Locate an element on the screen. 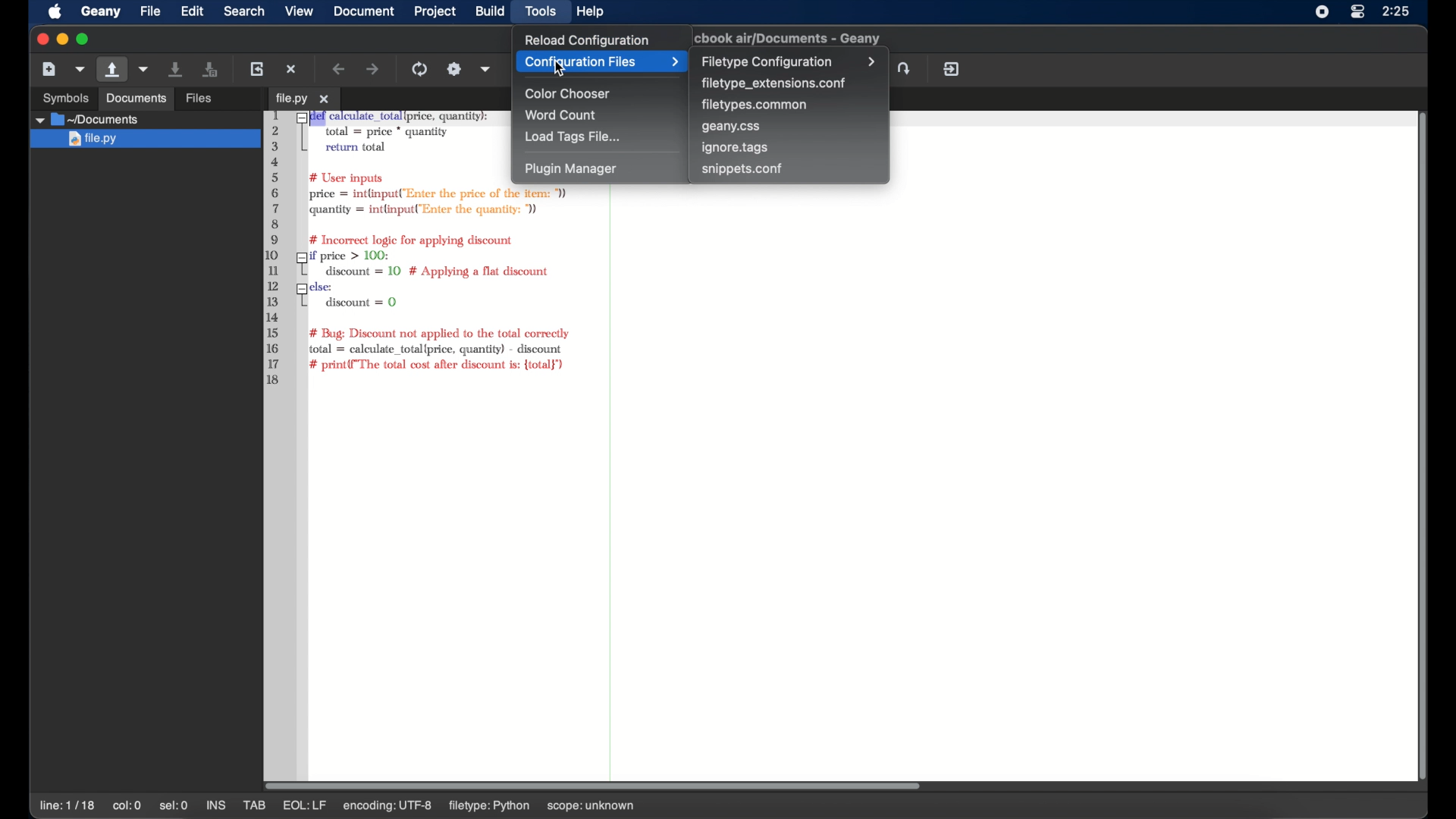 The image size is (1456, 819). geany is located at coordinates (792, 38).